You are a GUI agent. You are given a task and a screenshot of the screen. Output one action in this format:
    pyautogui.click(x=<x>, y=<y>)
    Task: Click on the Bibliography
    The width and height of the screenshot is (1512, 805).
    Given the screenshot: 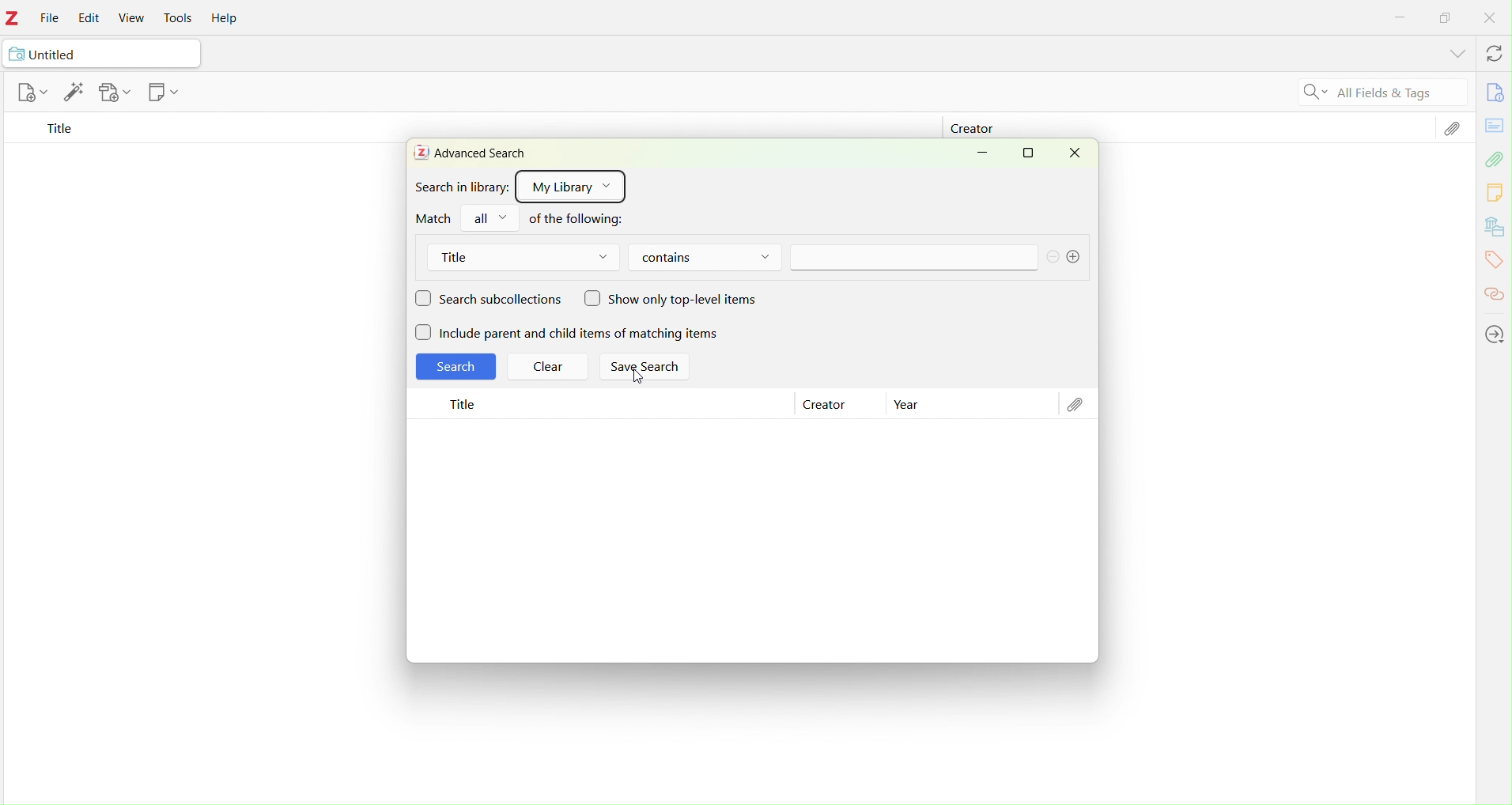 What is the action you would take?
    pyautogui.click(x=1494, y=228)
    